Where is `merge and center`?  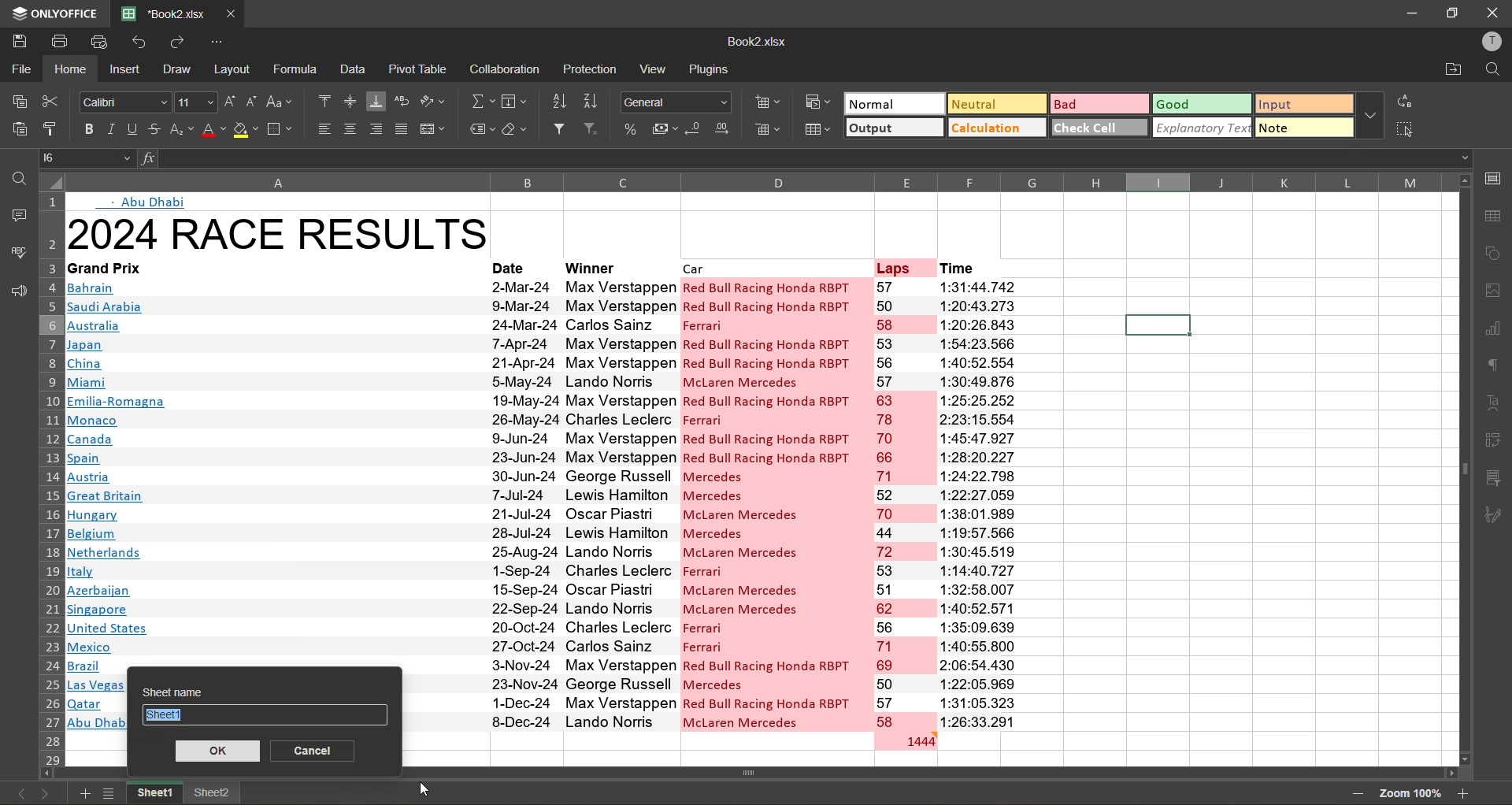
merge and center is located at coordinates (434, 130).